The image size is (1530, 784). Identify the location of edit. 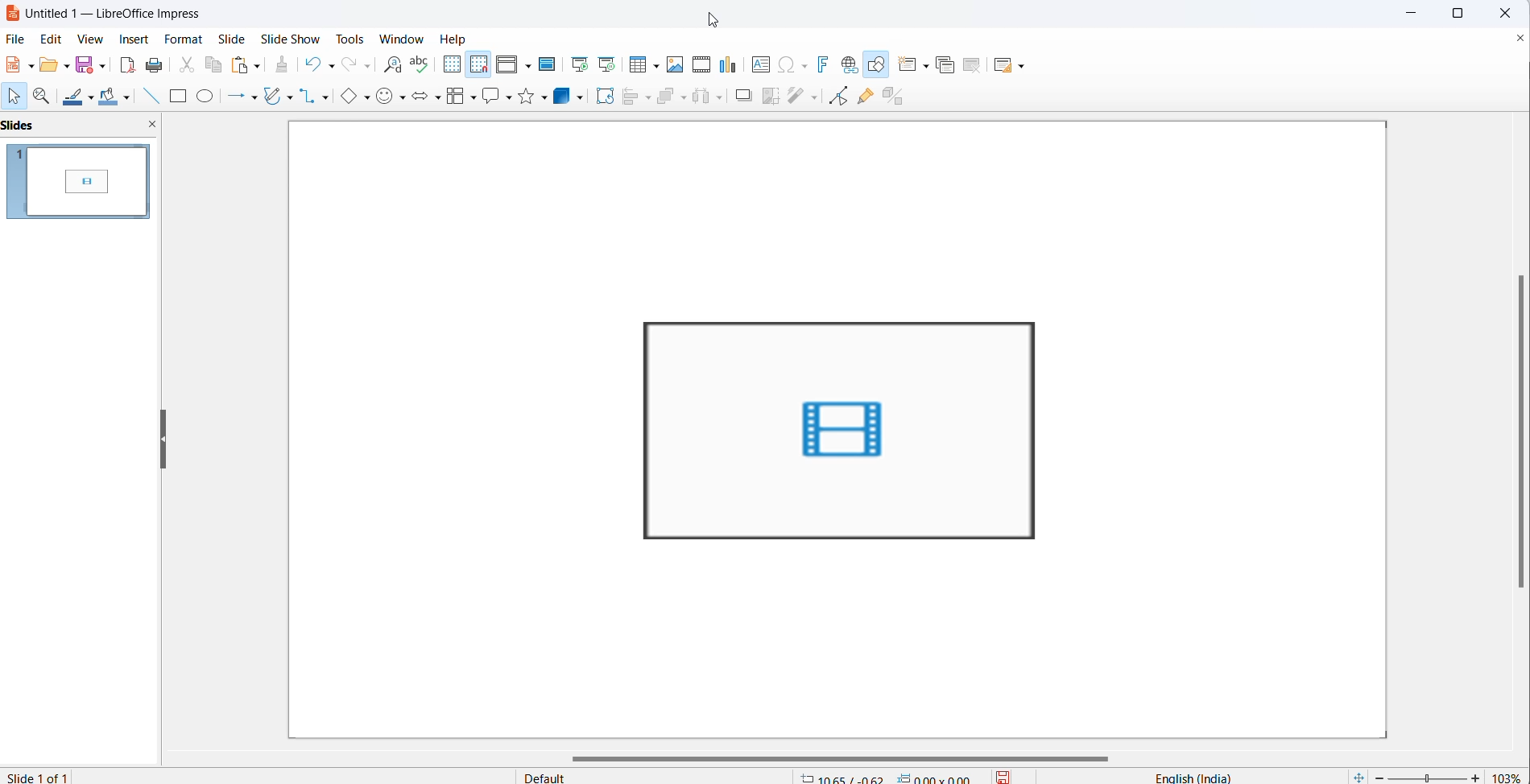
(52, 39).